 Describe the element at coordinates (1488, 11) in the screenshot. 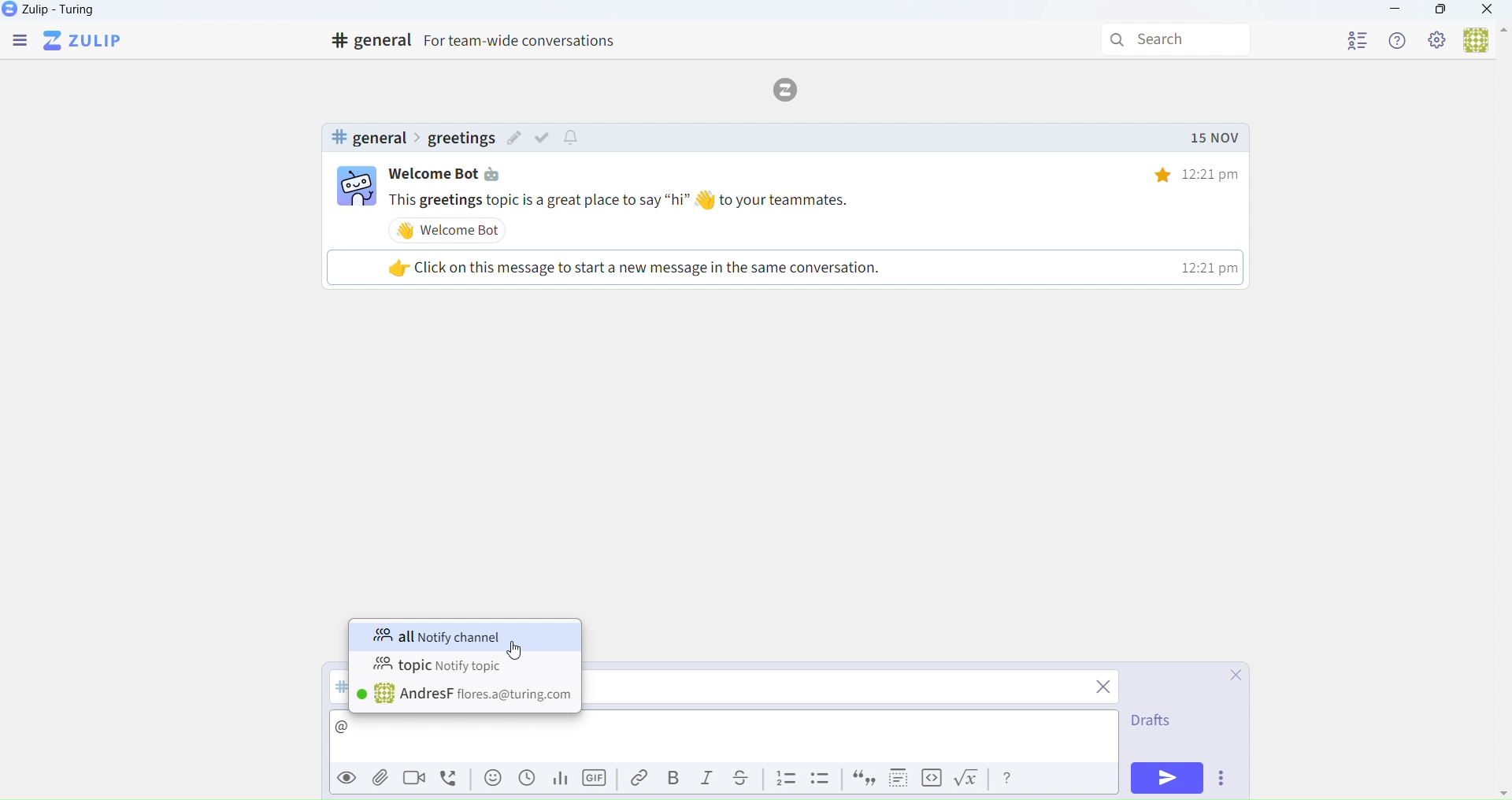

I see `Close` at that location.